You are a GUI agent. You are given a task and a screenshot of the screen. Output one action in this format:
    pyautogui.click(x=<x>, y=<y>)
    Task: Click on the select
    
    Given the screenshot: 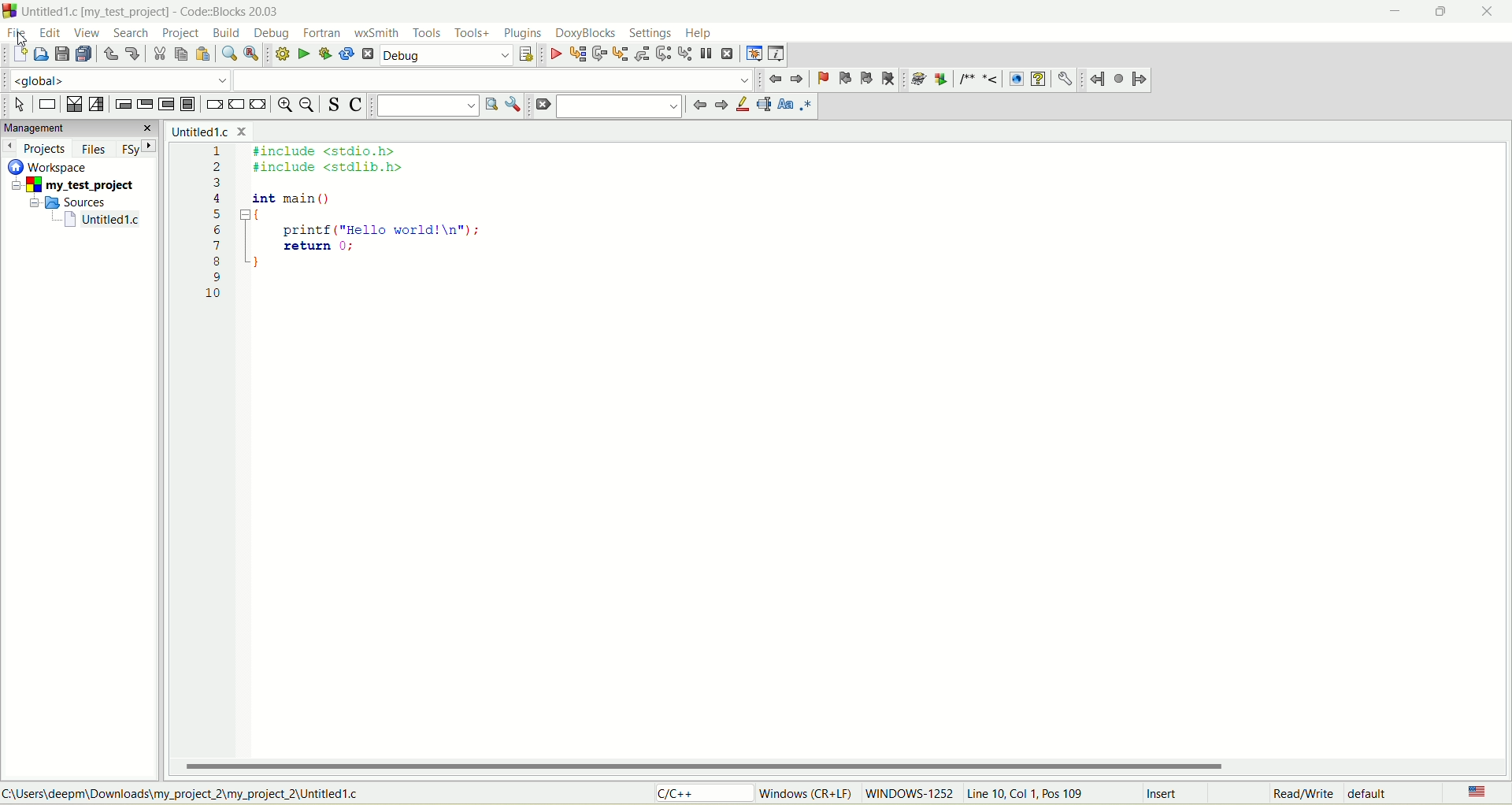 What is the action you would take?
    pyautogui.click(x=20, y=105)
    